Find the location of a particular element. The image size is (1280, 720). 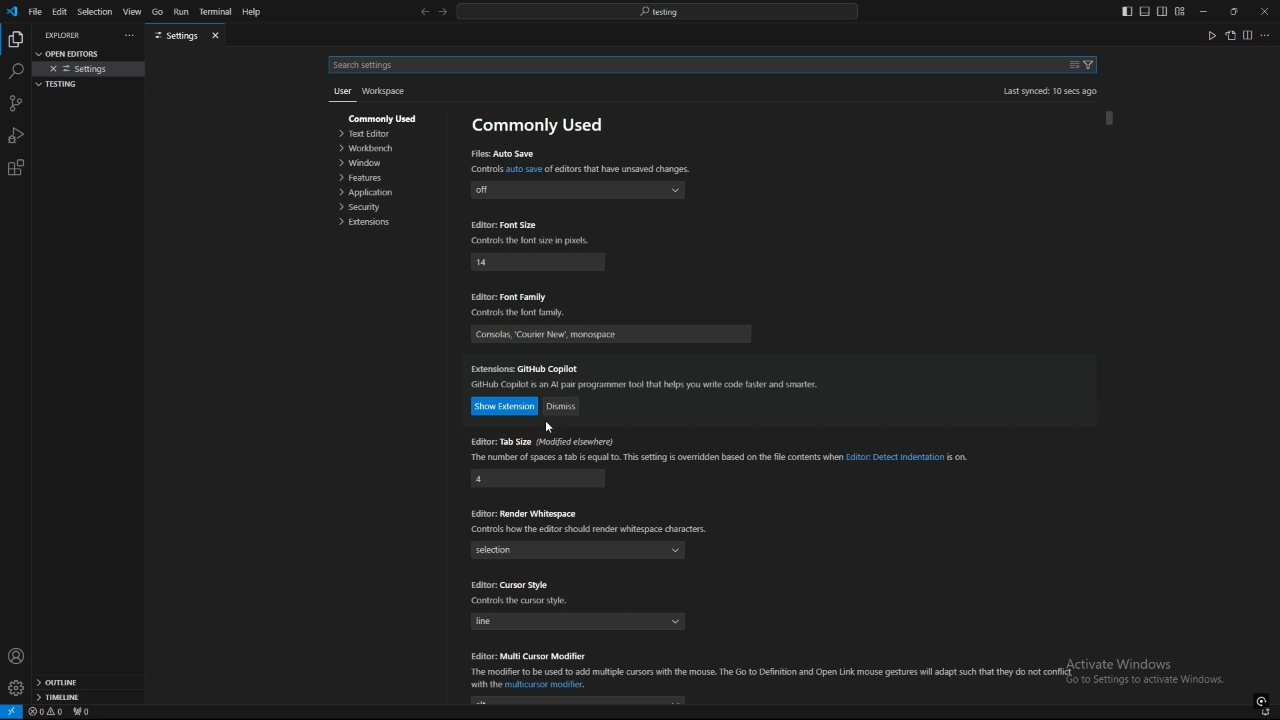

workspace is located at coordinates (384, 92).